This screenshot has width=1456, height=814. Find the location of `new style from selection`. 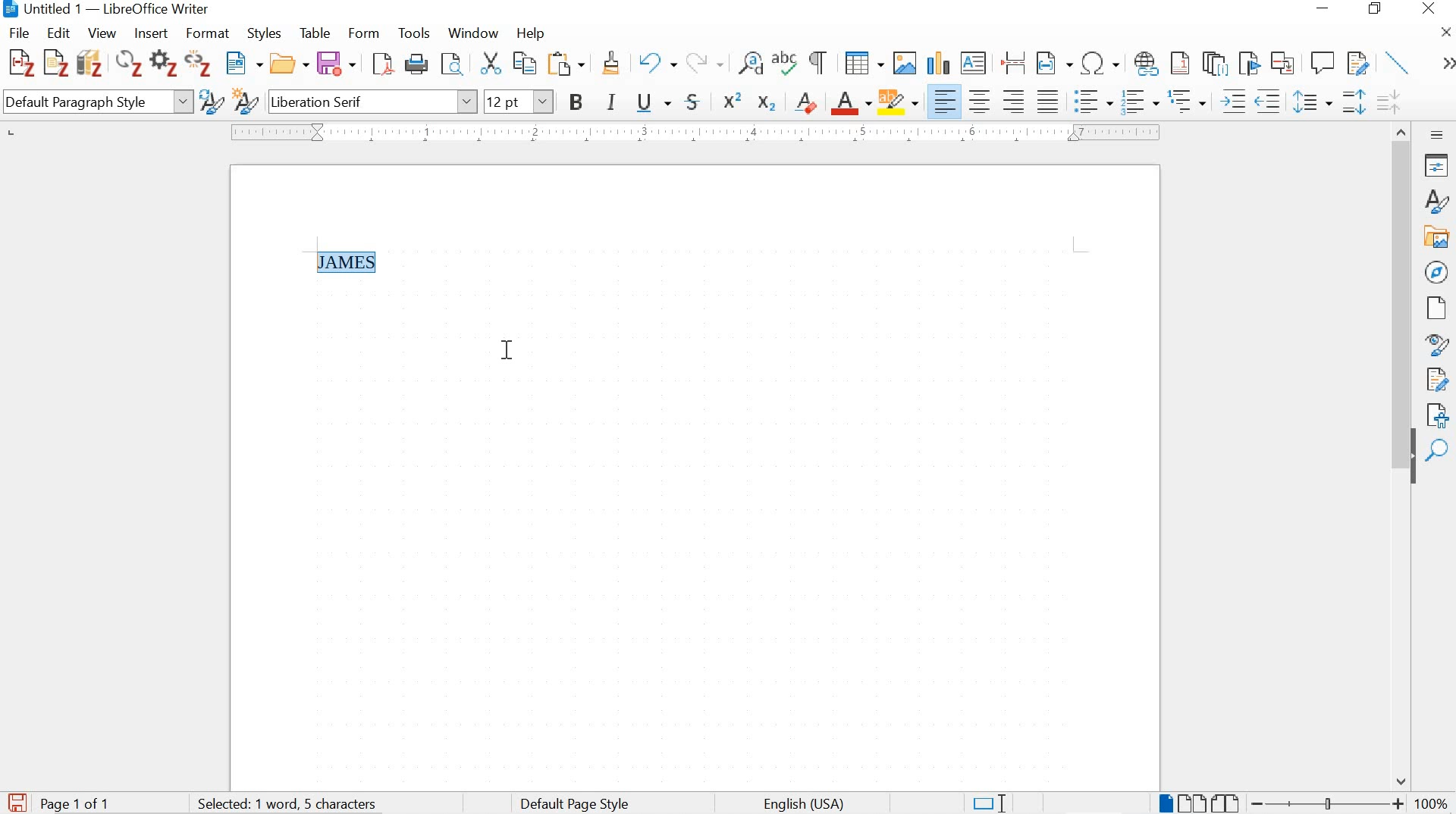

new style from selection is located at coordinates (245, 103).